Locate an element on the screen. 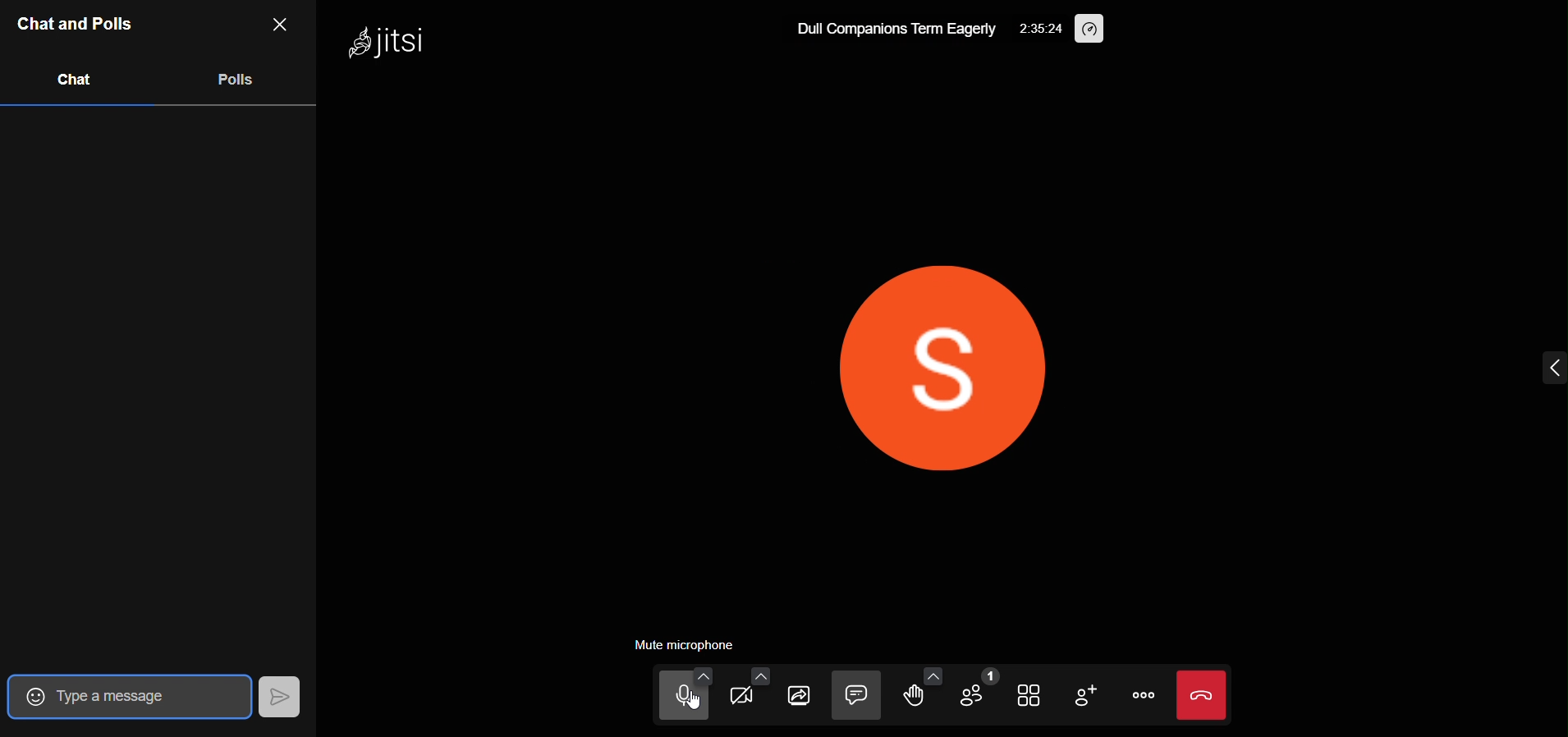 The width and height of the screenshot is (1568, 737). invite people is located at coordinates (1092, 697).